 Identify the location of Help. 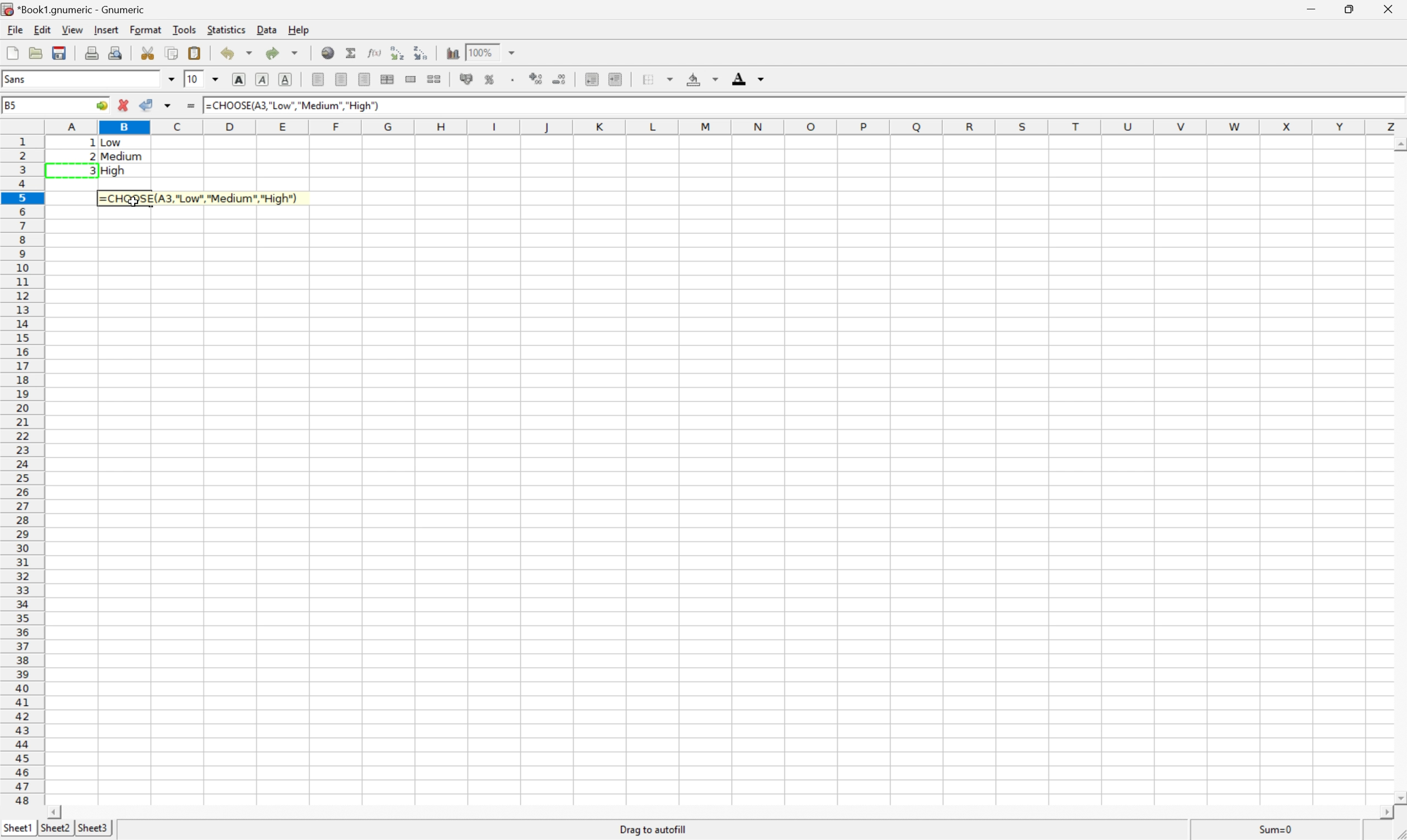
(298, 31).